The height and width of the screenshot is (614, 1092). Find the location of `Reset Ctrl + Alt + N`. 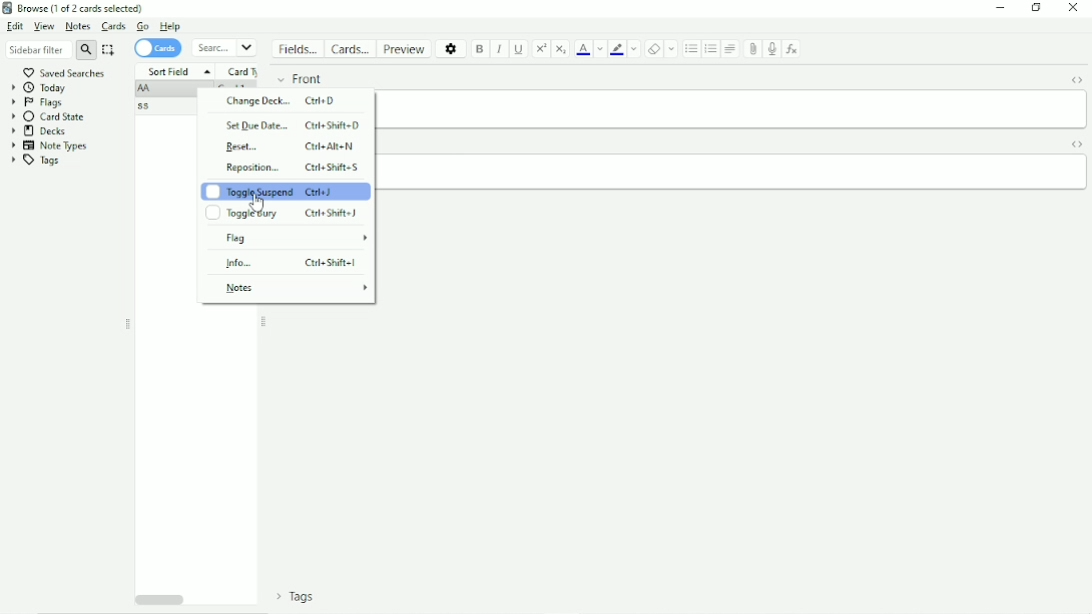

Reset Ctrl + Alt + N is located at coordinates (291, 146).